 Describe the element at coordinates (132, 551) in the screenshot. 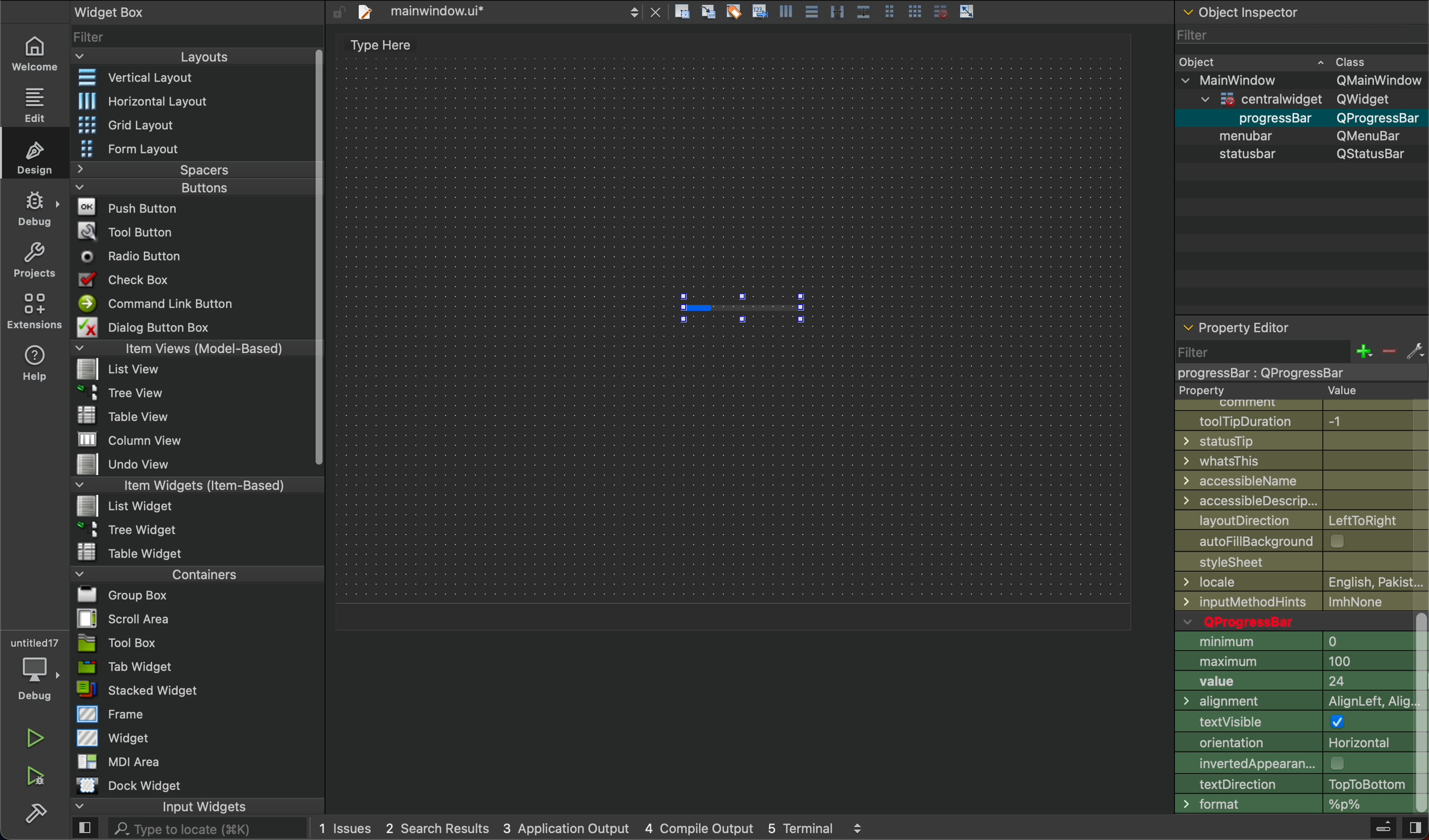

I see `File` at that location.